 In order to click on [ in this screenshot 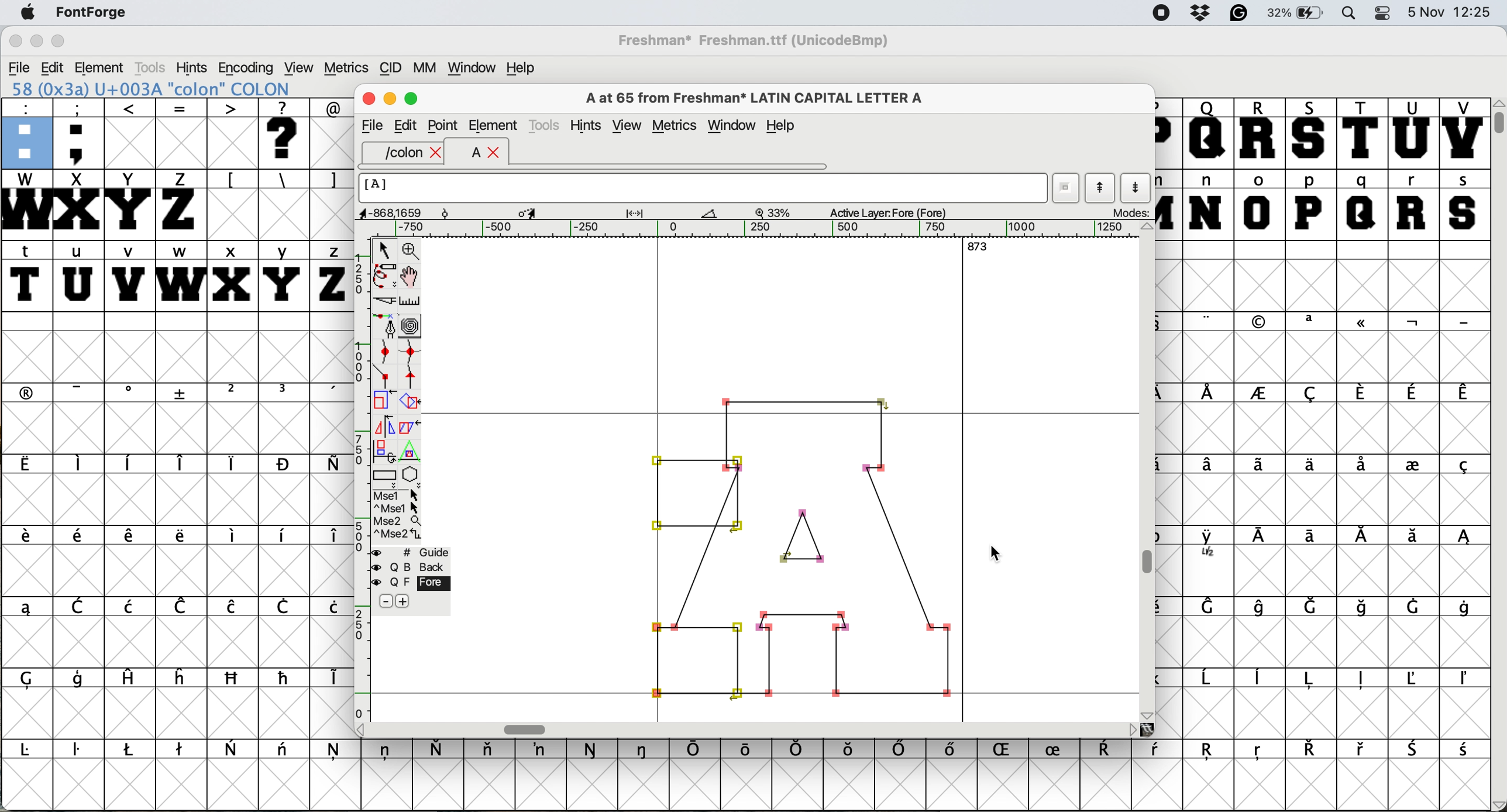, I will do `click(232, 180)`.